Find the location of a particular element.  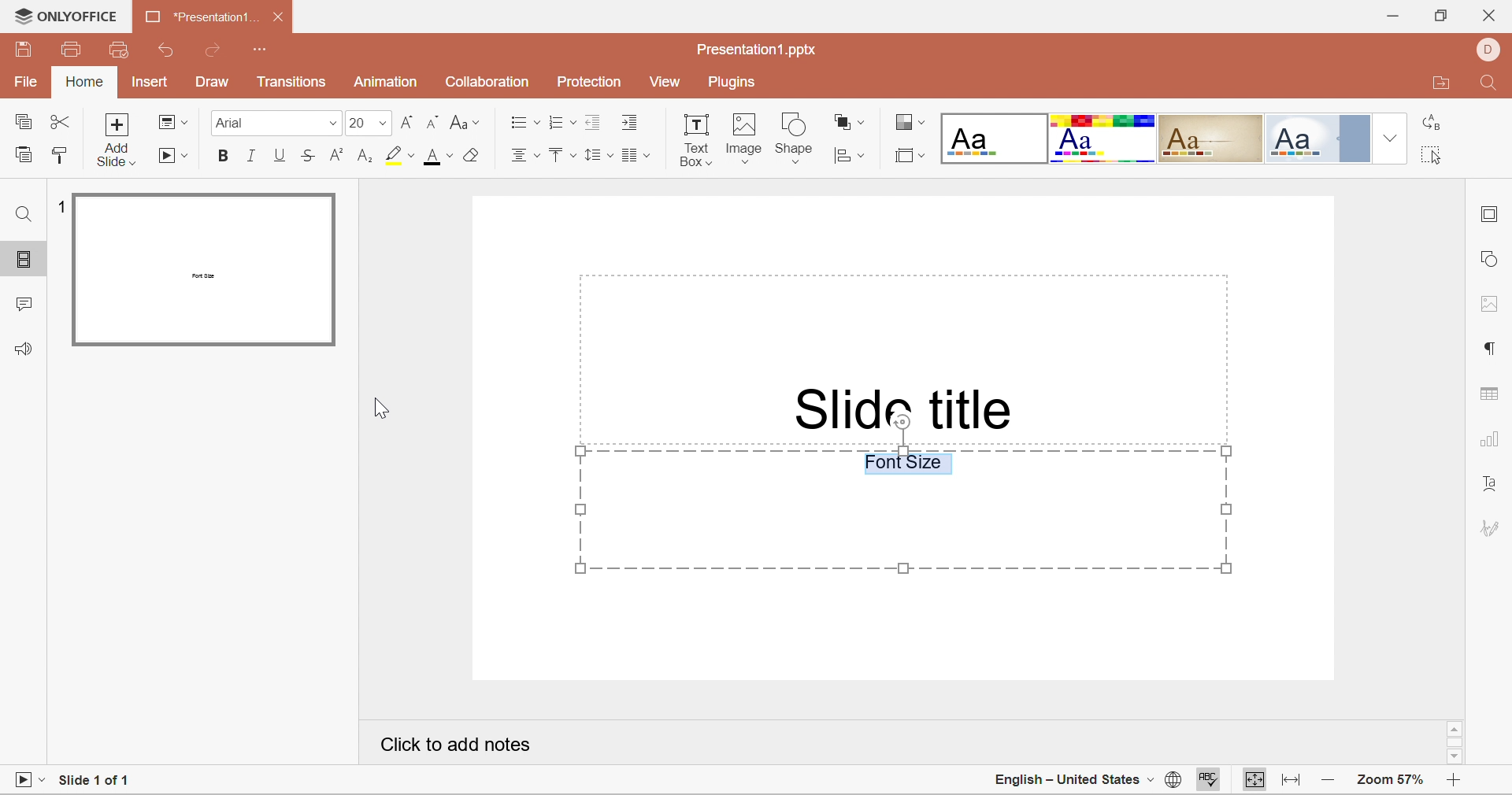

Subscript is located at coordinates (363, 157).